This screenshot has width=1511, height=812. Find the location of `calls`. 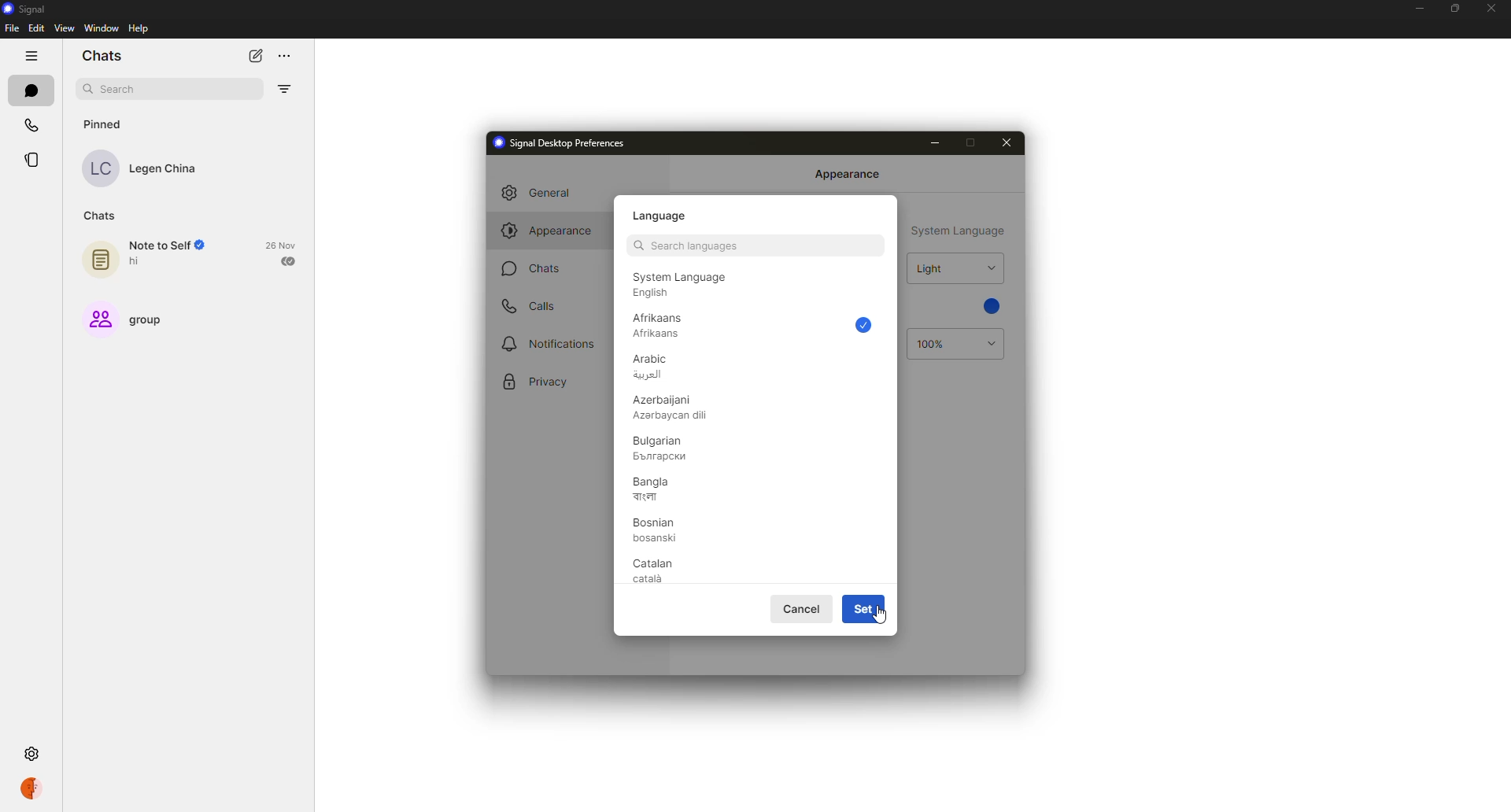

calls is located at coordinates (33, 124).